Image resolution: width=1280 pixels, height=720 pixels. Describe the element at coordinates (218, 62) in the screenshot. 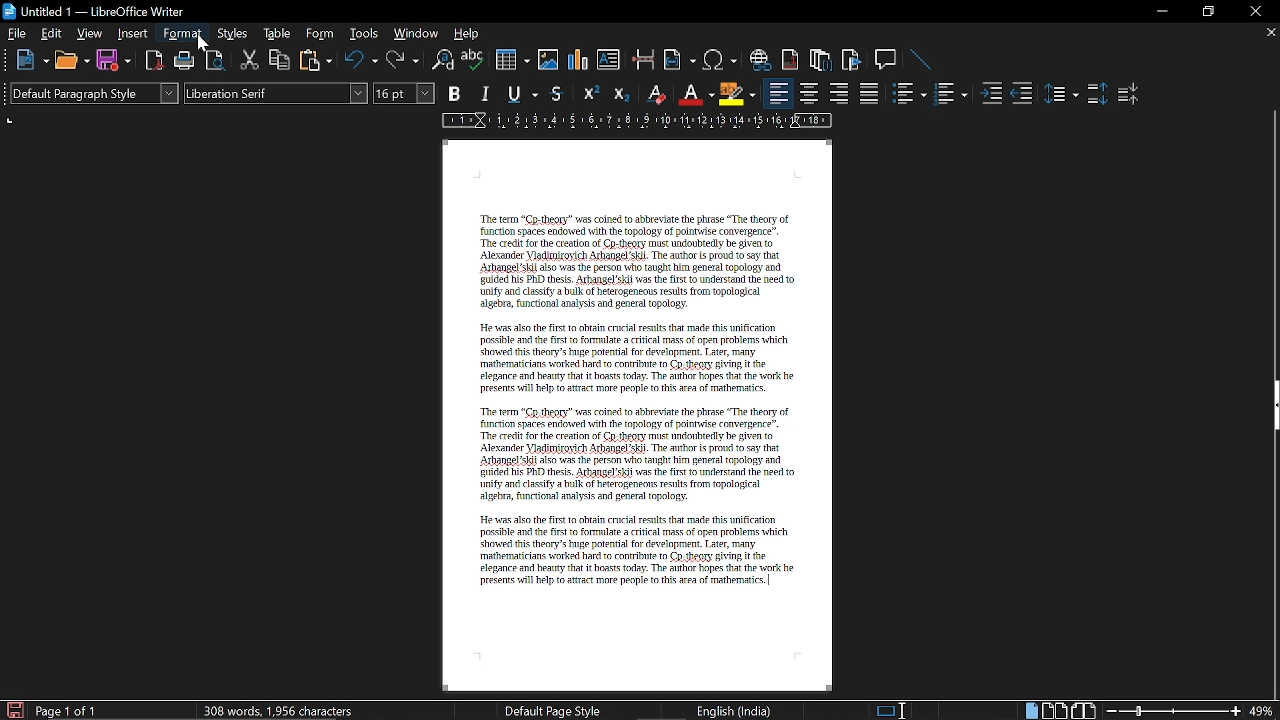

I see `Toggle print preview` at that location.